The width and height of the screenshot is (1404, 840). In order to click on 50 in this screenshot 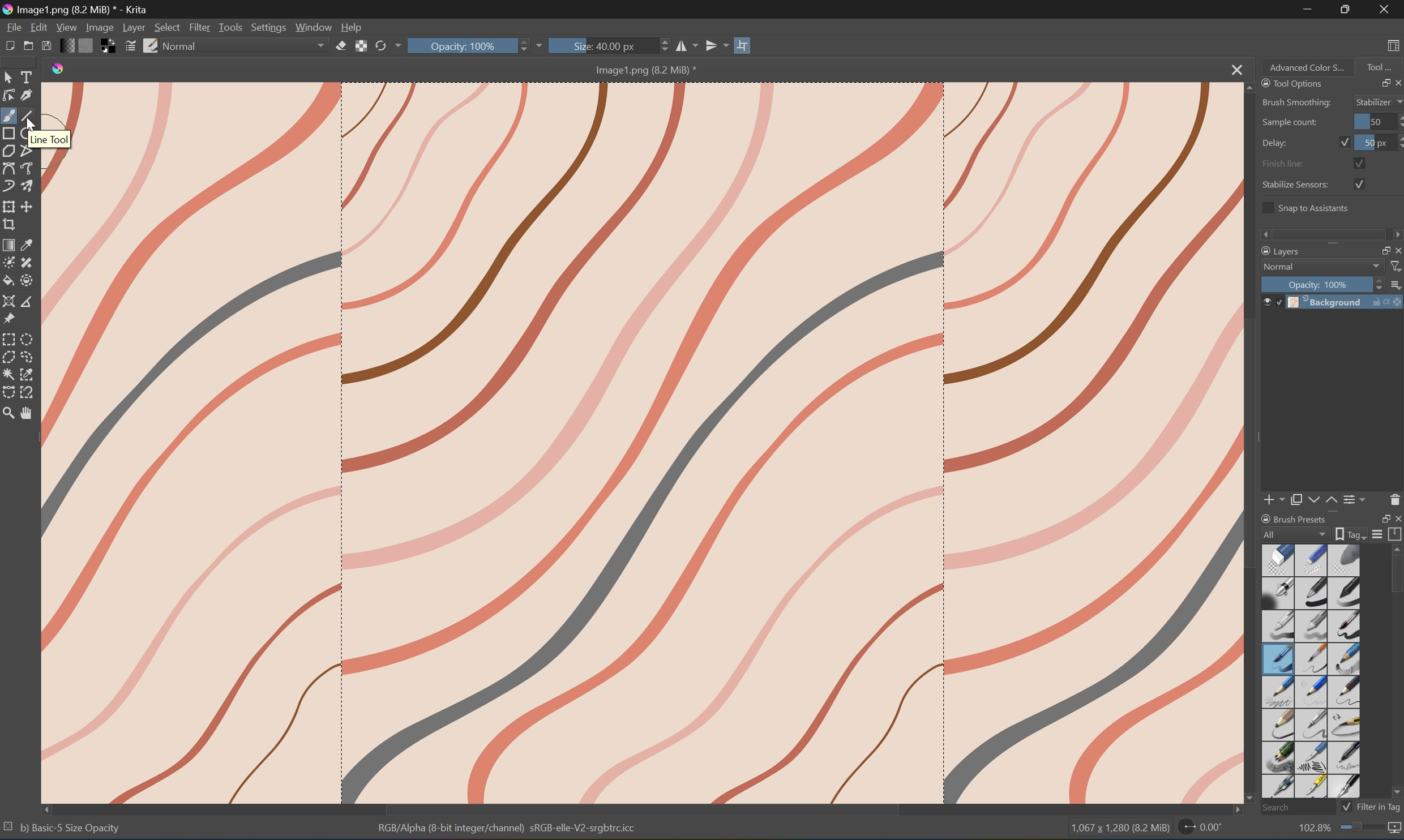, I will do `click(1372, 121)`.